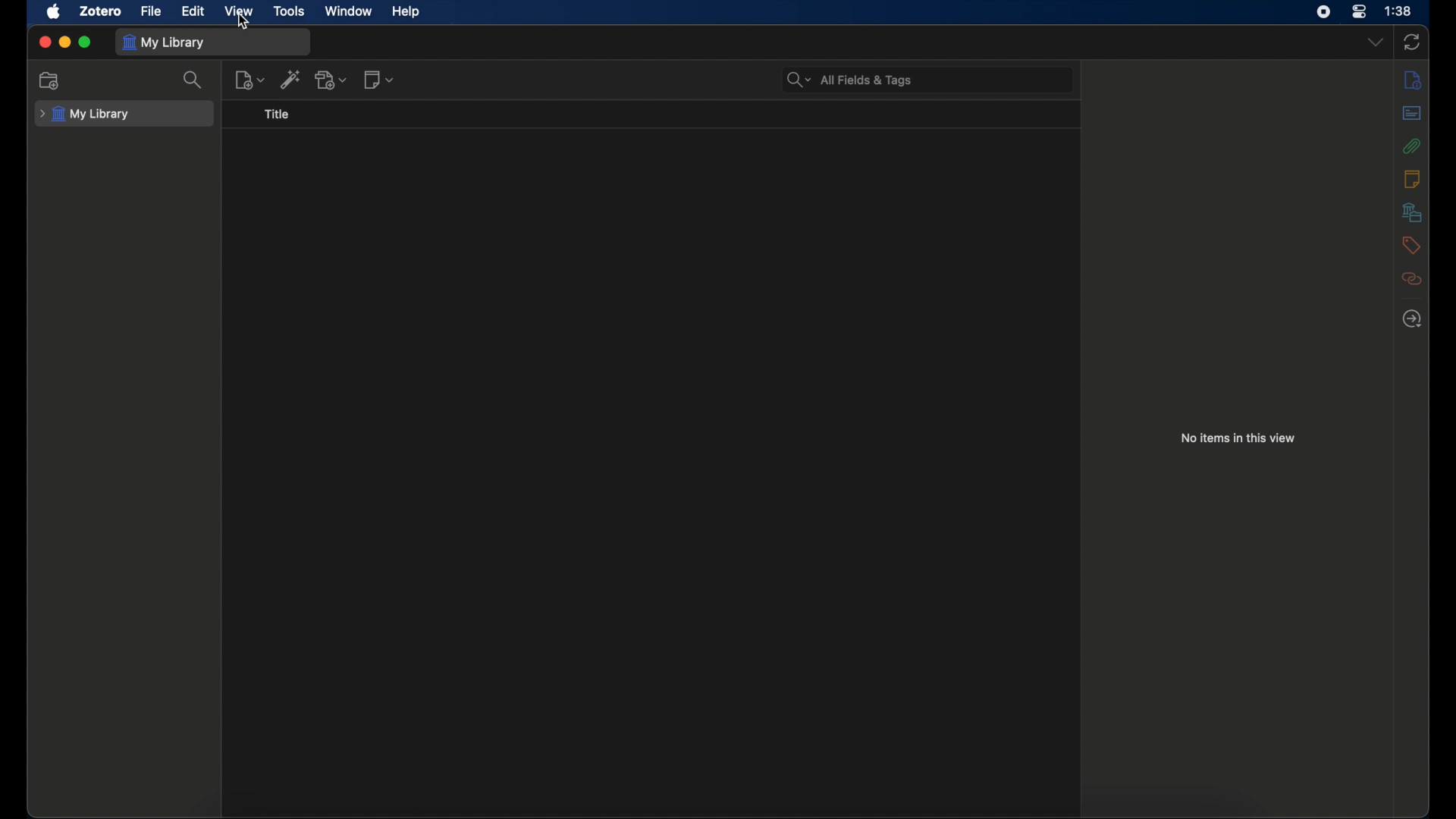  I want to click on info, so click(1414, 80).